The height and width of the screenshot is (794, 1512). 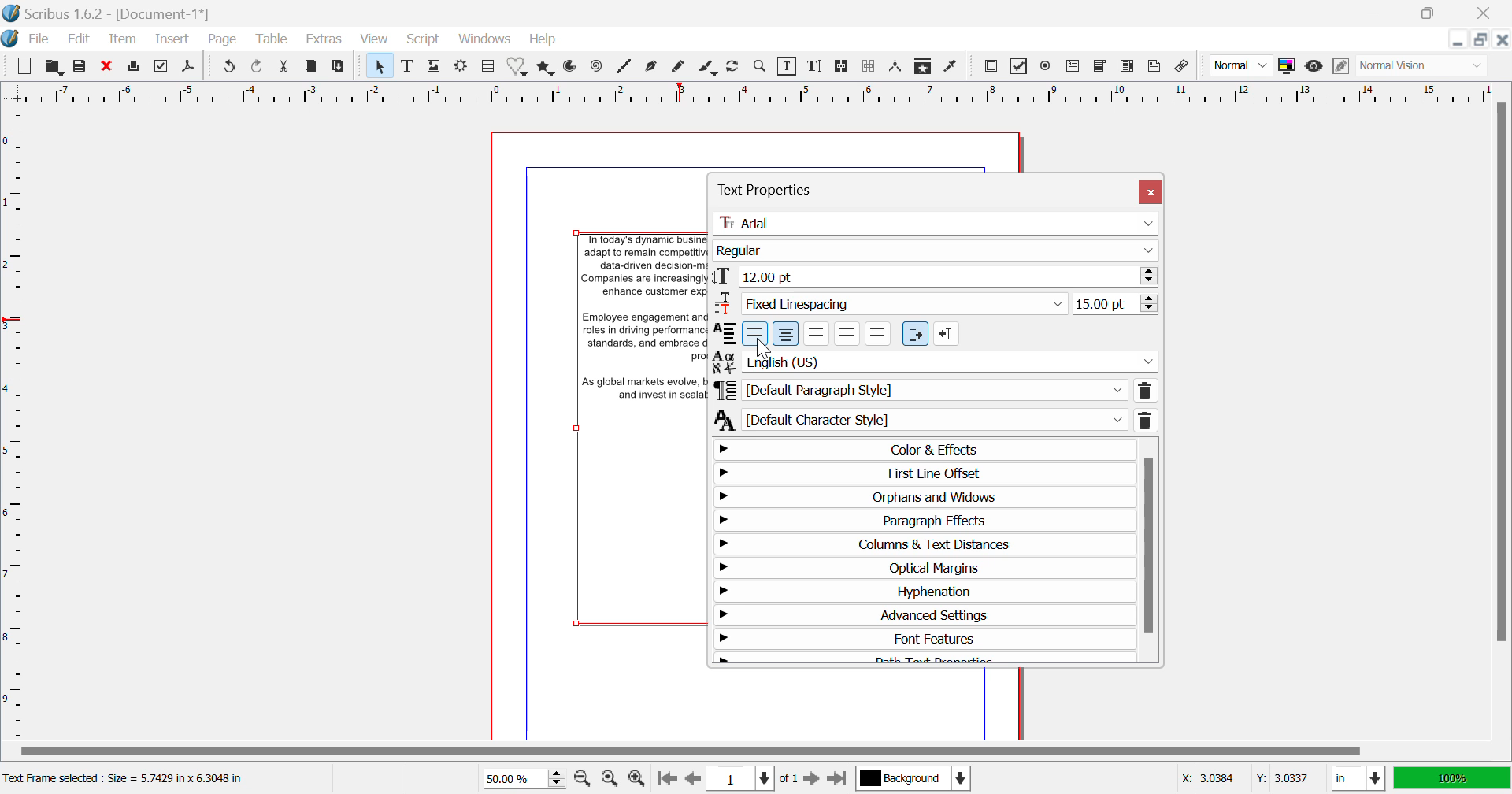 What do you see at coordinates (755, 780) in the screenshot?
I see `Page 1 of 1` at bounding box center [755, 780].